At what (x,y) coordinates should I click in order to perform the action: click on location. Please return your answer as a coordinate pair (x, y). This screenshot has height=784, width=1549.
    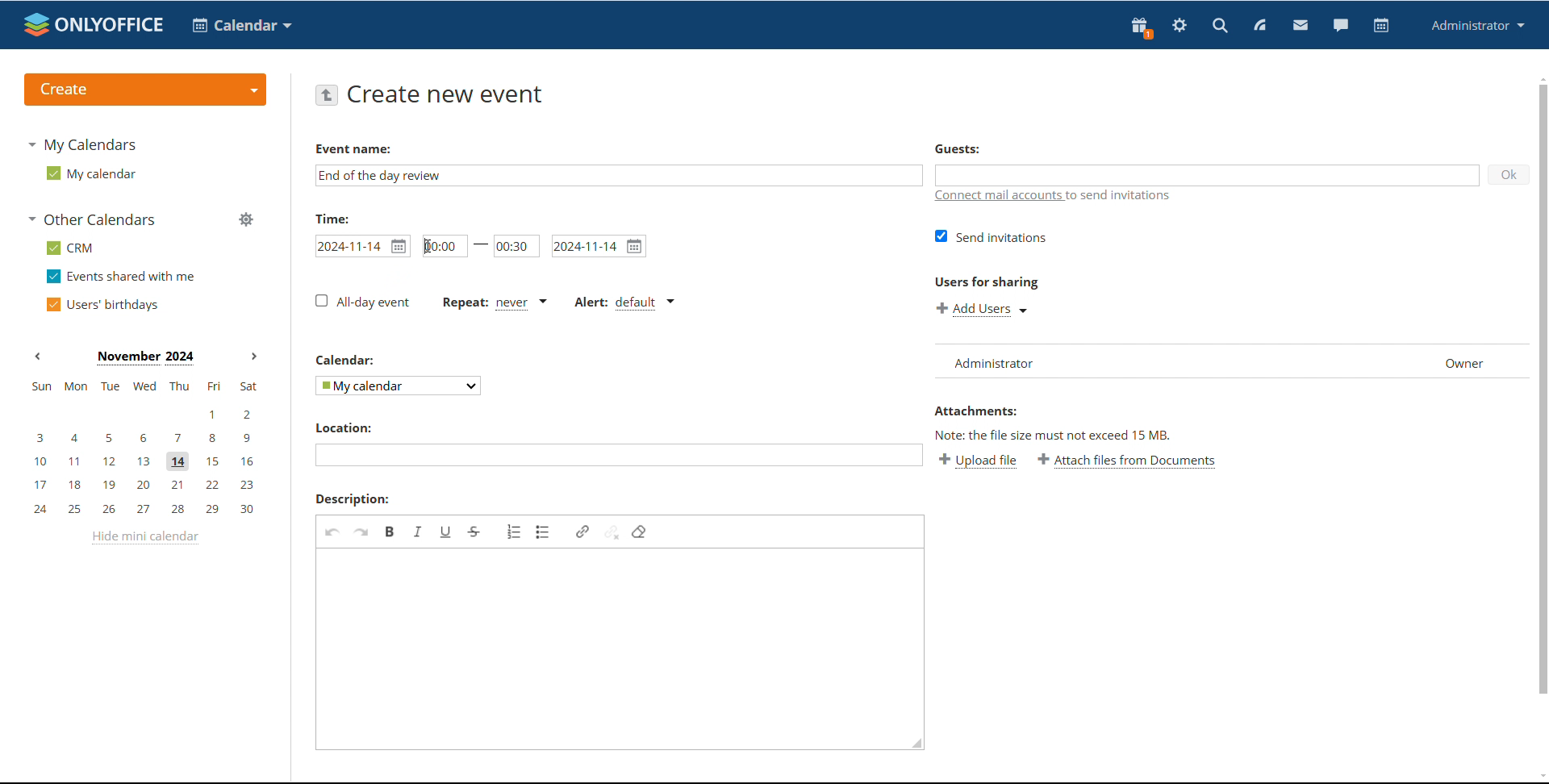
    Looking at the image, I should click on (342, 427).